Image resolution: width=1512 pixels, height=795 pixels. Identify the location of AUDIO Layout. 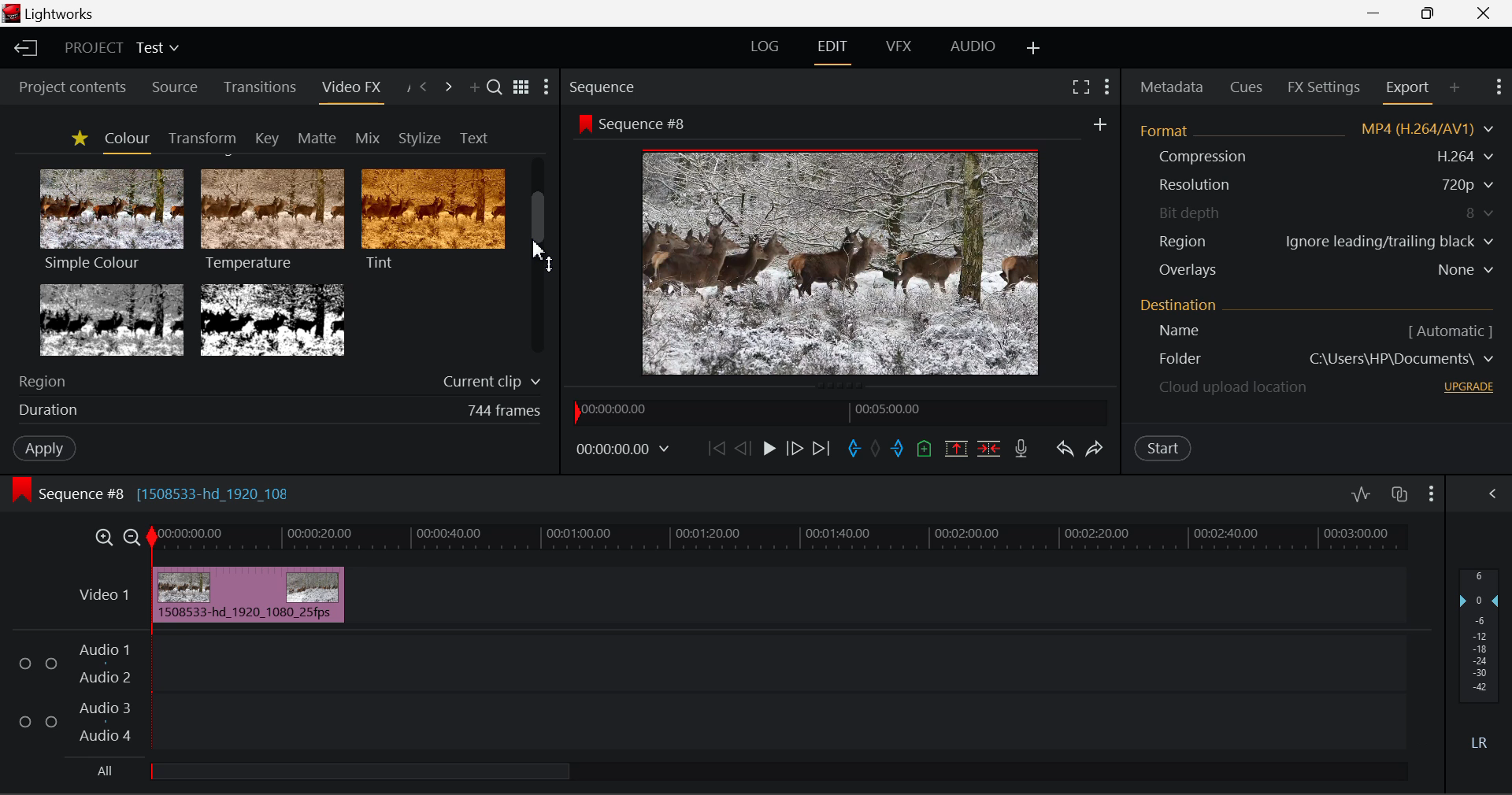
(973, 46).